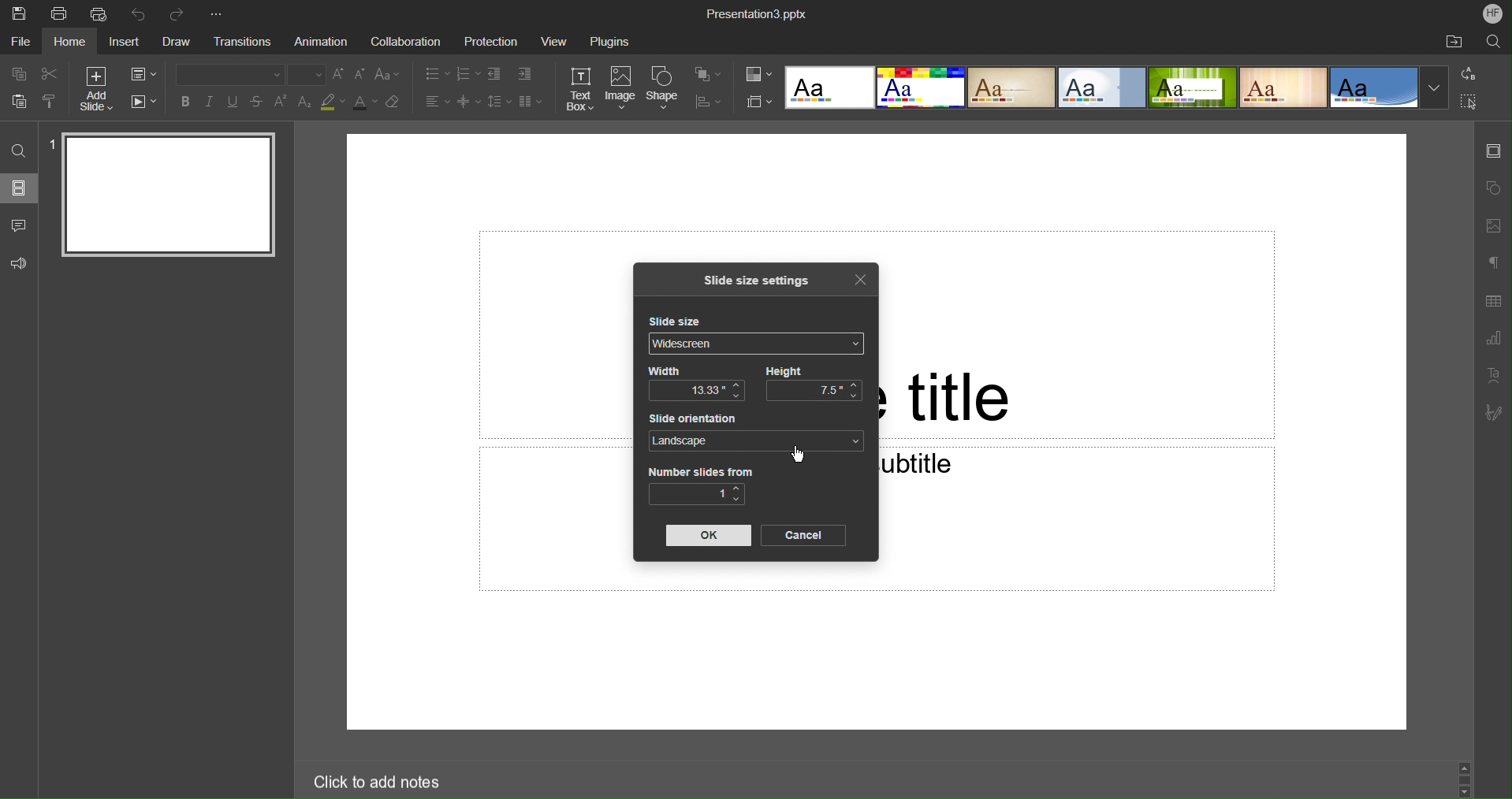 The width and height of the screenshot is (1512, 799). Describe the element at coordinates (665, 88) in the screenshot. I see `Shape` at that location.